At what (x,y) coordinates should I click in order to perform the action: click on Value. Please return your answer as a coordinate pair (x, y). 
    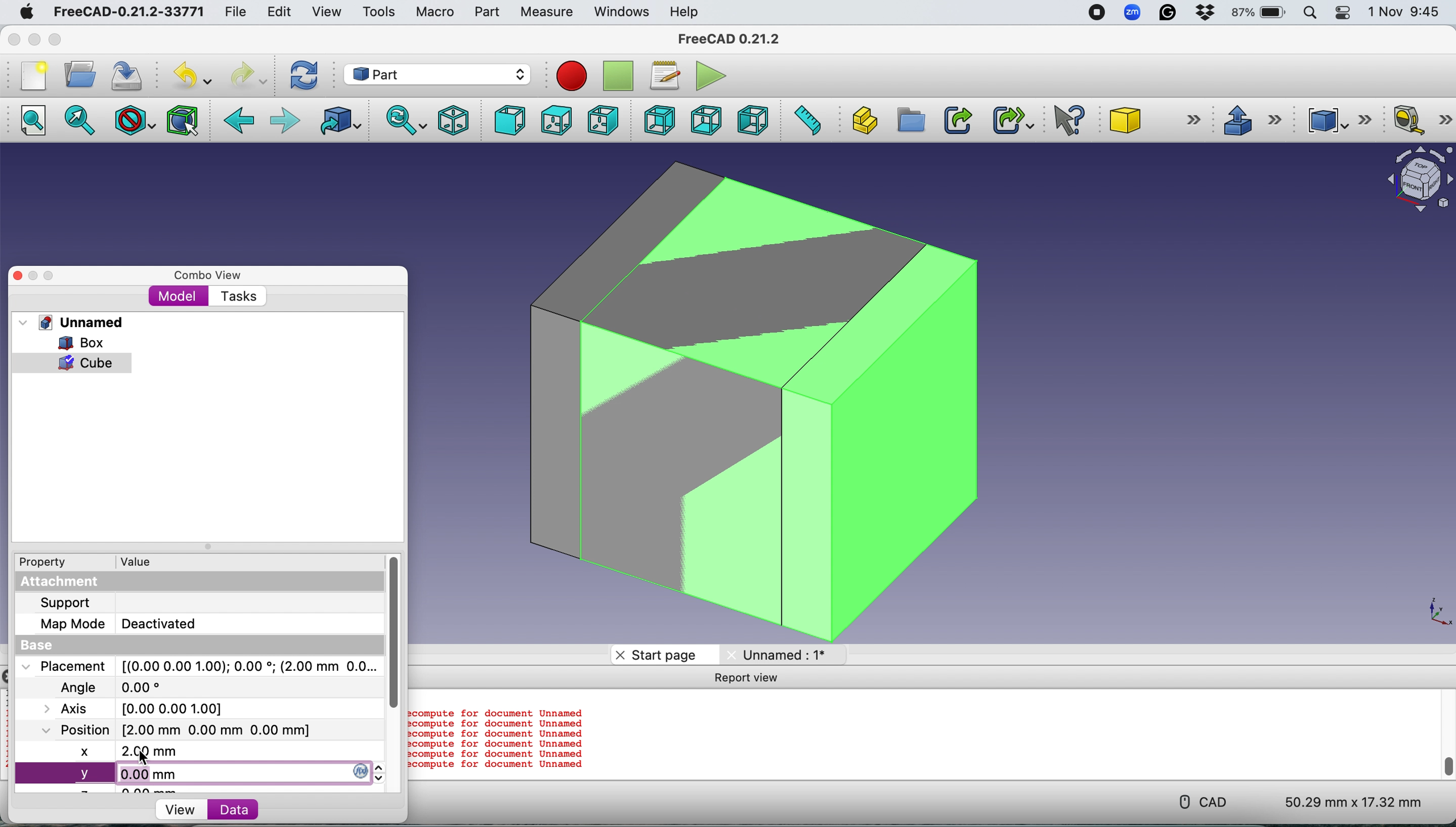
    Looking at the image, I should click on (140, 561).